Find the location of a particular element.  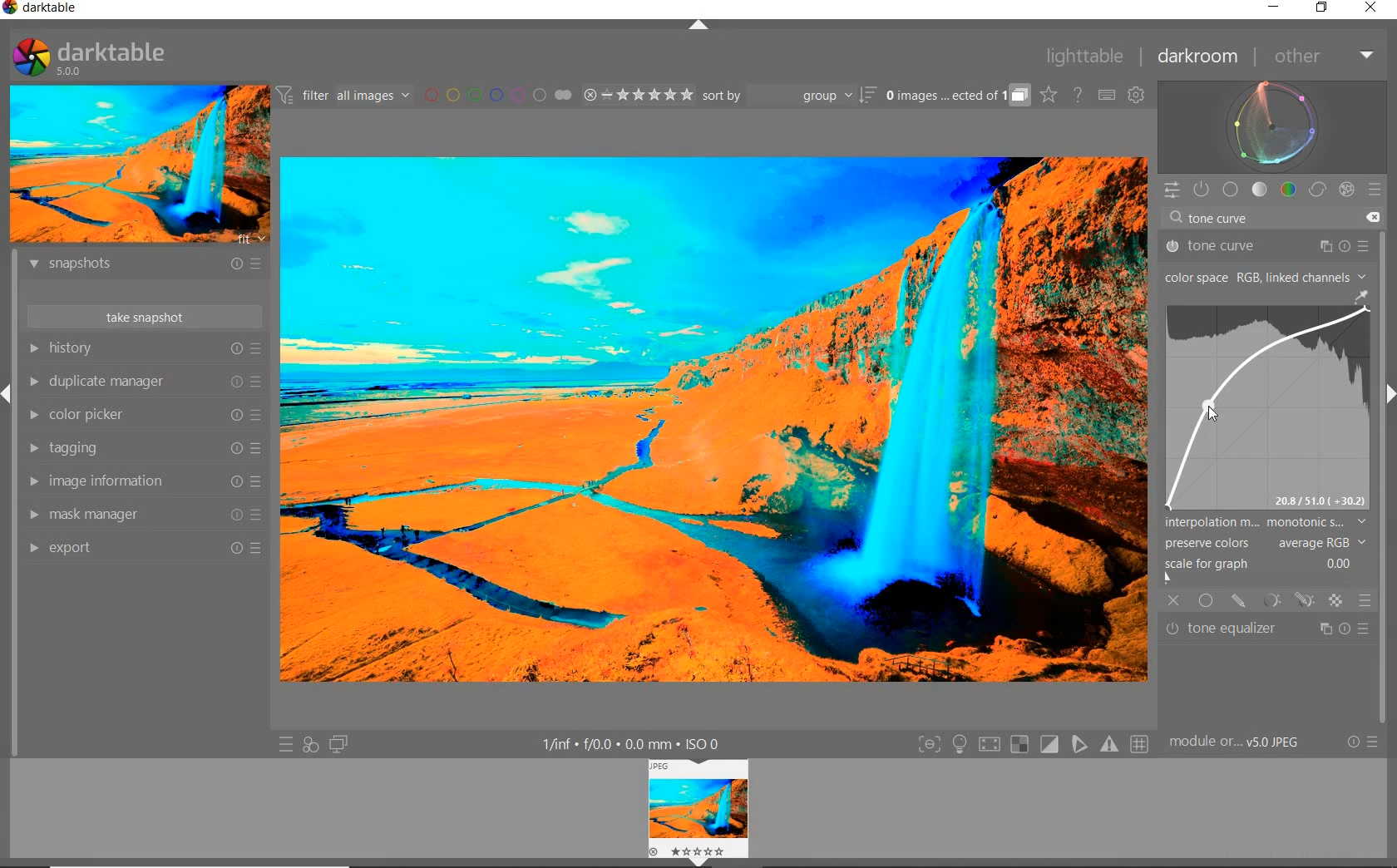

QUICK ACCESS TO PRESET is located at coordinates (285, 743).